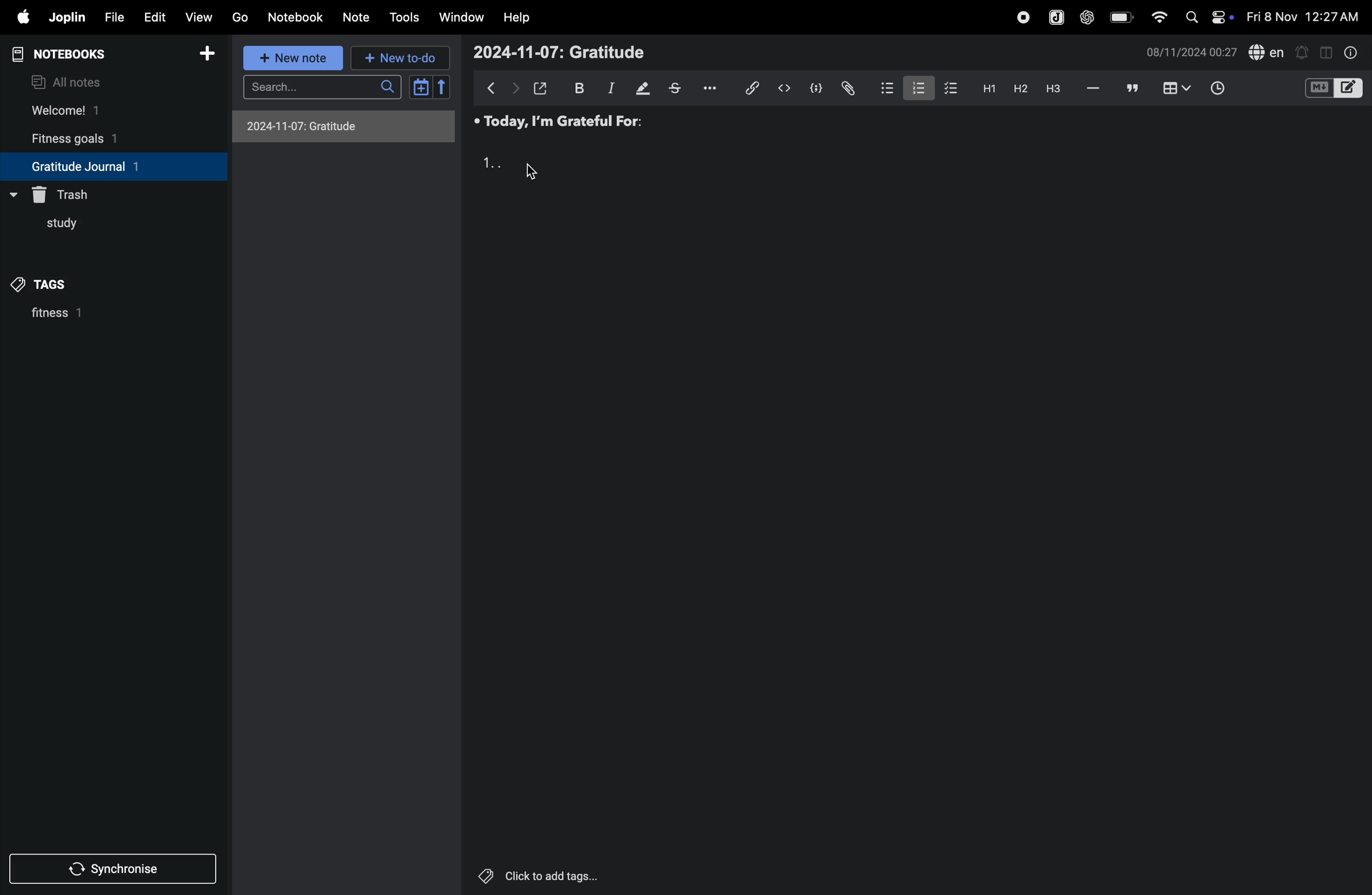  What do you see at coordinates (326, 86) in the screenshot?
I see `search bar` at bounding box center [326, 86].